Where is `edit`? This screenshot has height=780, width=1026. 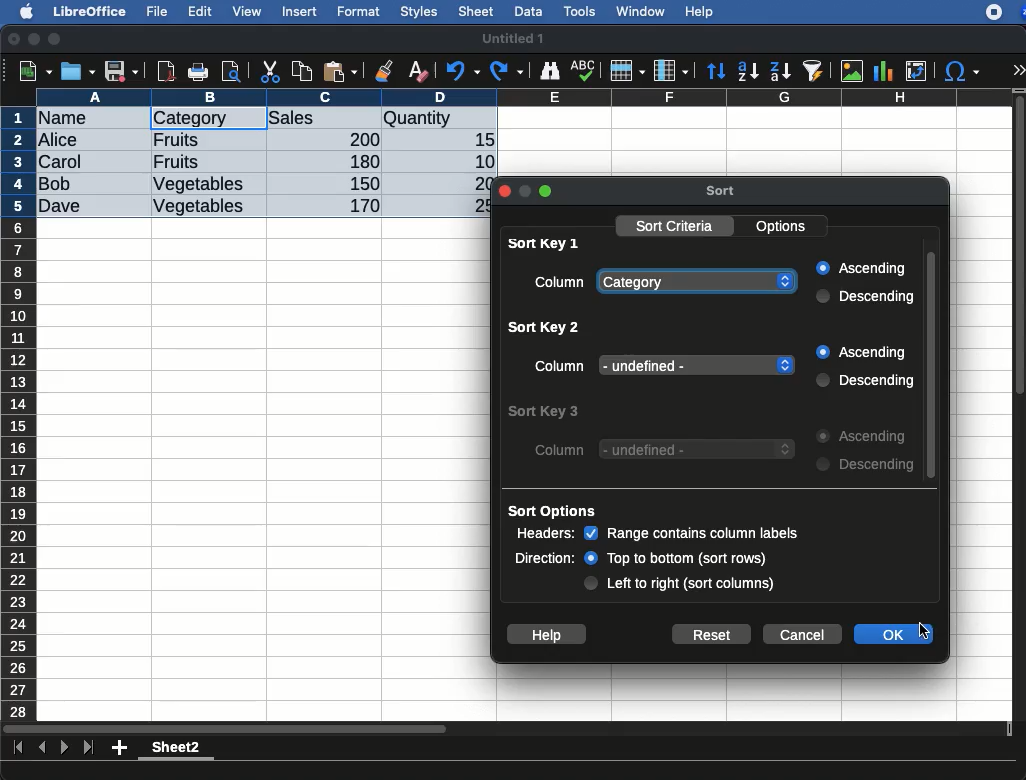
edit is located at coordinates (200, 11).